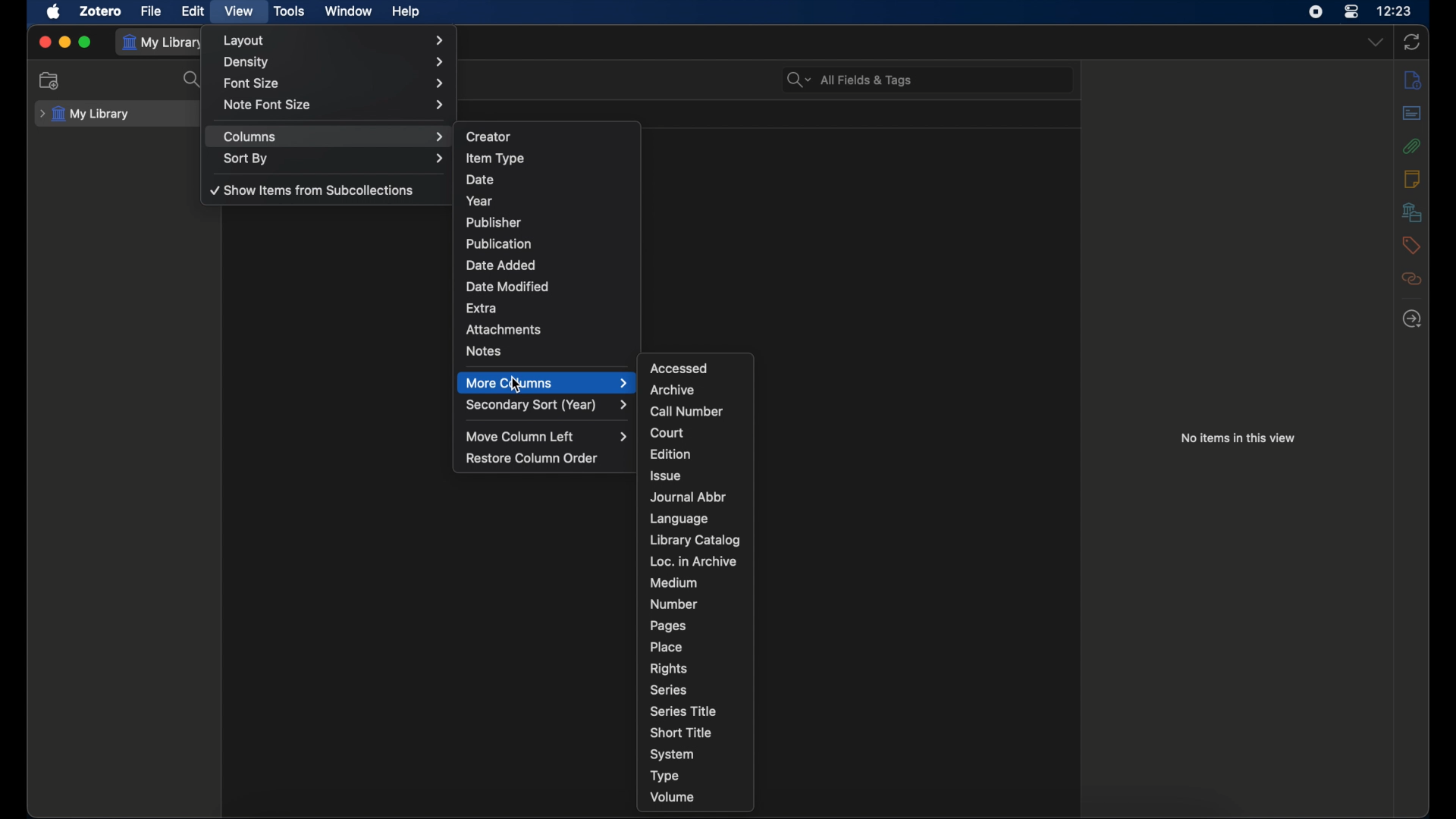 The image size is (1456, 819). Describe the element at coordinates (667, 626) in the screenshot. I see `pages` at that location.